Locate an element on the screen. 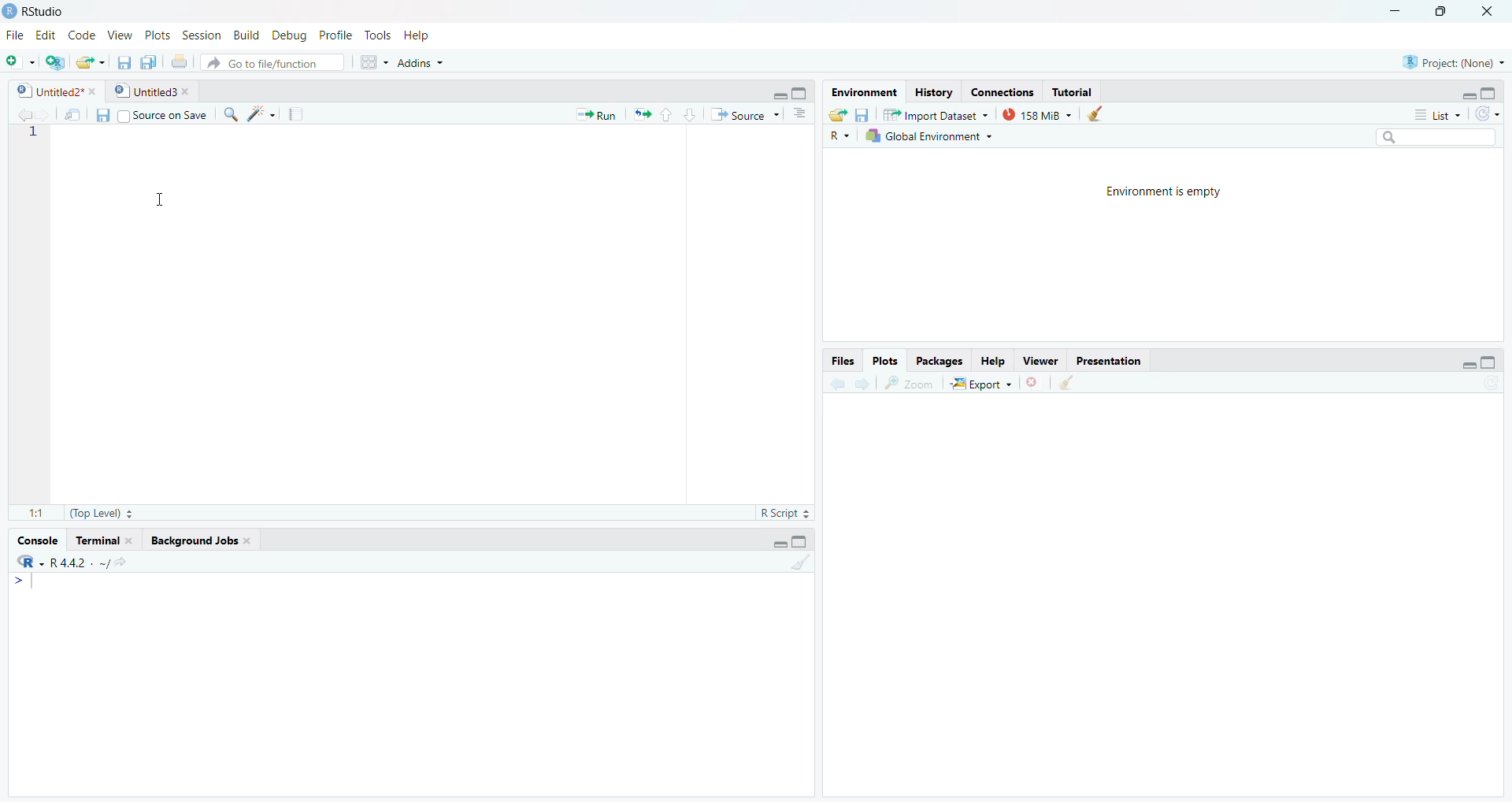 The height and width of the screenshot is (802, 1512). Find replace is located at coordinates (227, 116).